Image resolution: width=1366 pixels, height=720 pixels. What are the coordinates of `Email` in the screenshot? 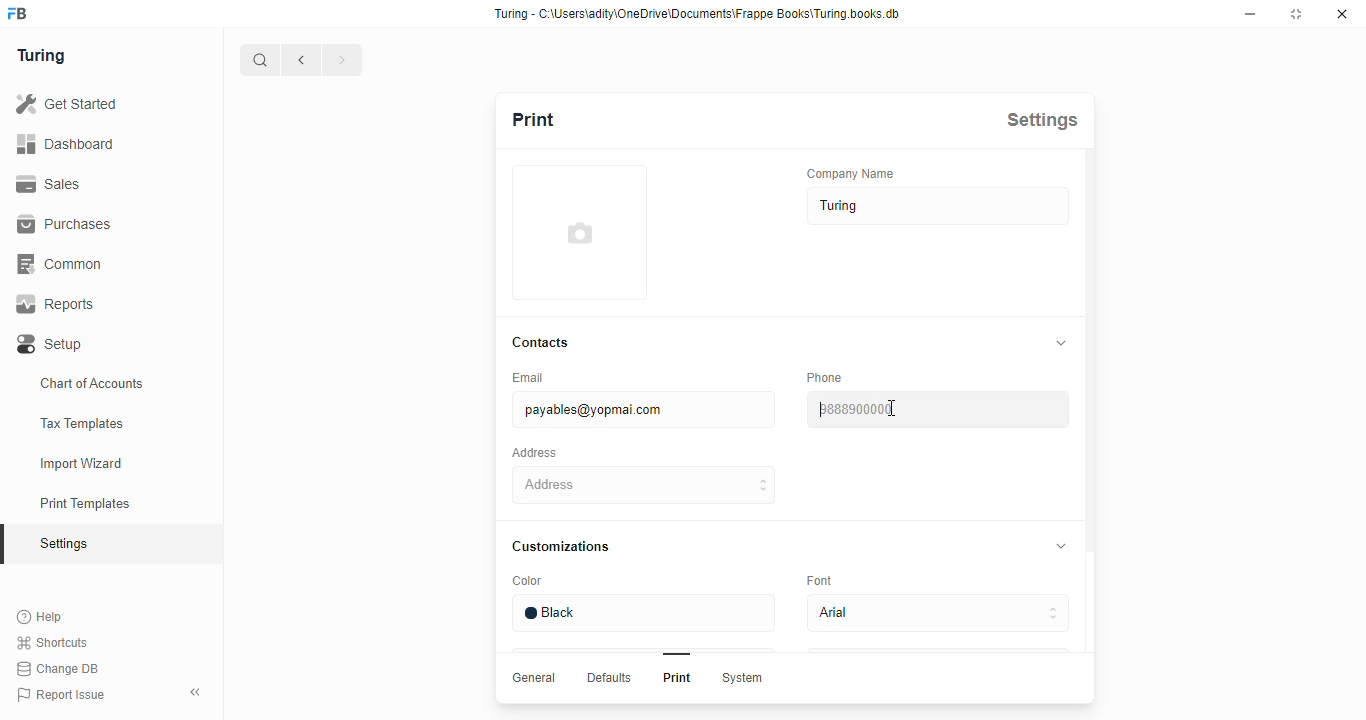 It's located at (542, 378).